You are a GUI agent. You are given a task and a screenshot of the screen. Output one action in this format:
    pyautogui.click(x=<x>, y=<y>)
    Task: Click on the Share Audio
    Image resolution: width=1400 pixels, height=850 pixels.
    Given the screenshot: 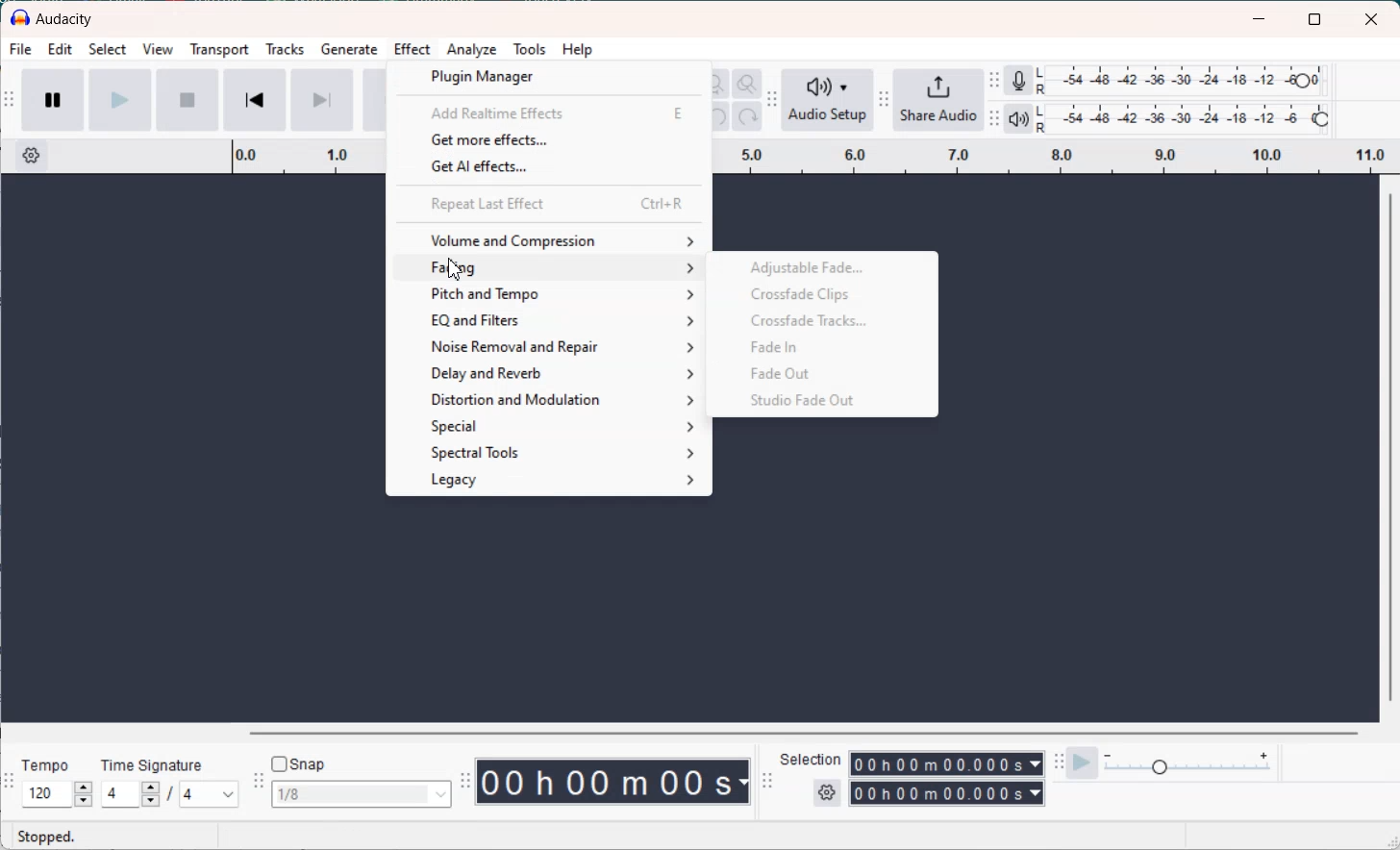 What is the action you would take?
    pyautogui.click(x=940, y=101)
    